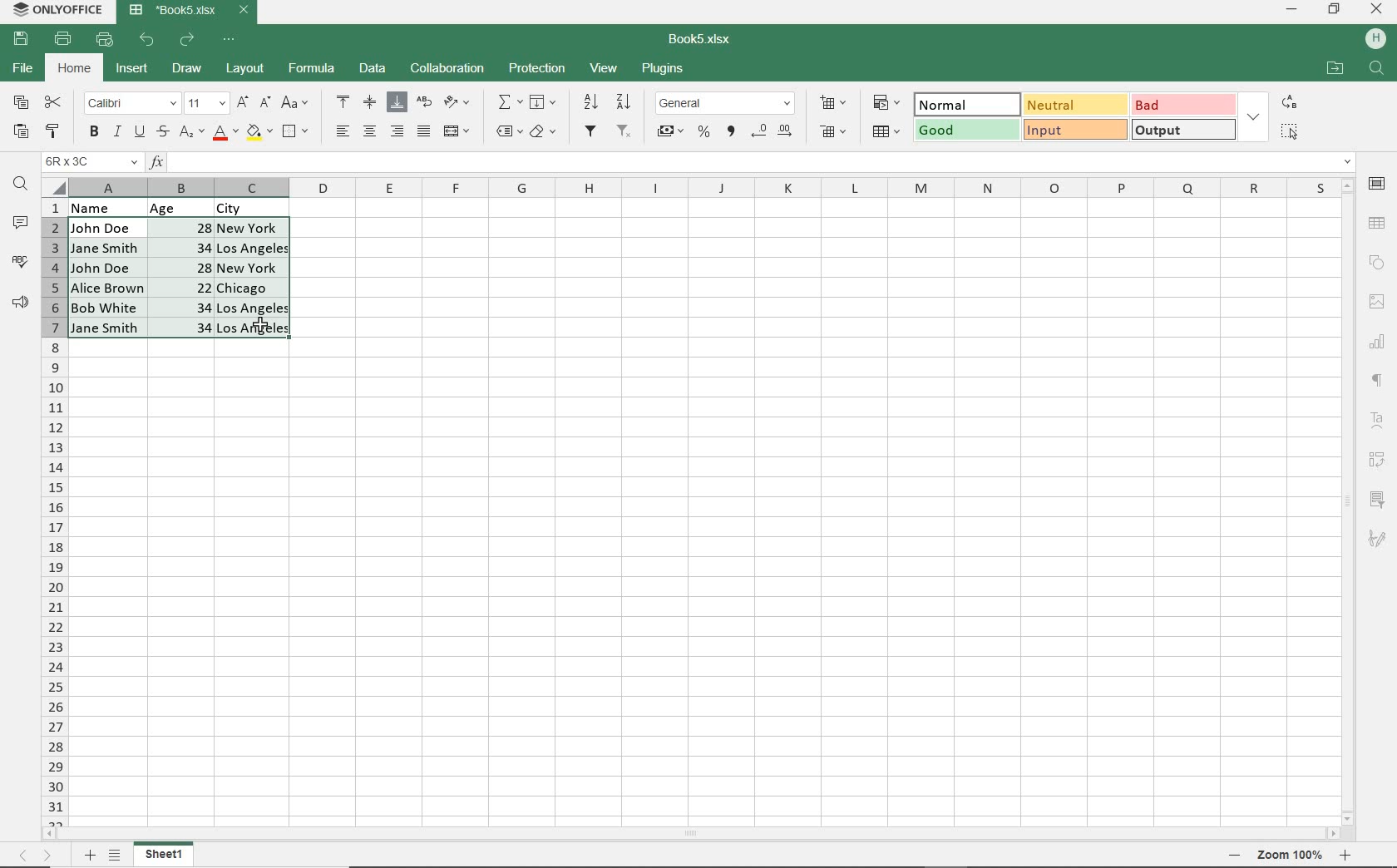 This screenshot has width=1397, height=868. What do you see at coordinates (727, 102) in the screenshot?
I see `NUMBER FORMAT` at bounding box center [727, 102].